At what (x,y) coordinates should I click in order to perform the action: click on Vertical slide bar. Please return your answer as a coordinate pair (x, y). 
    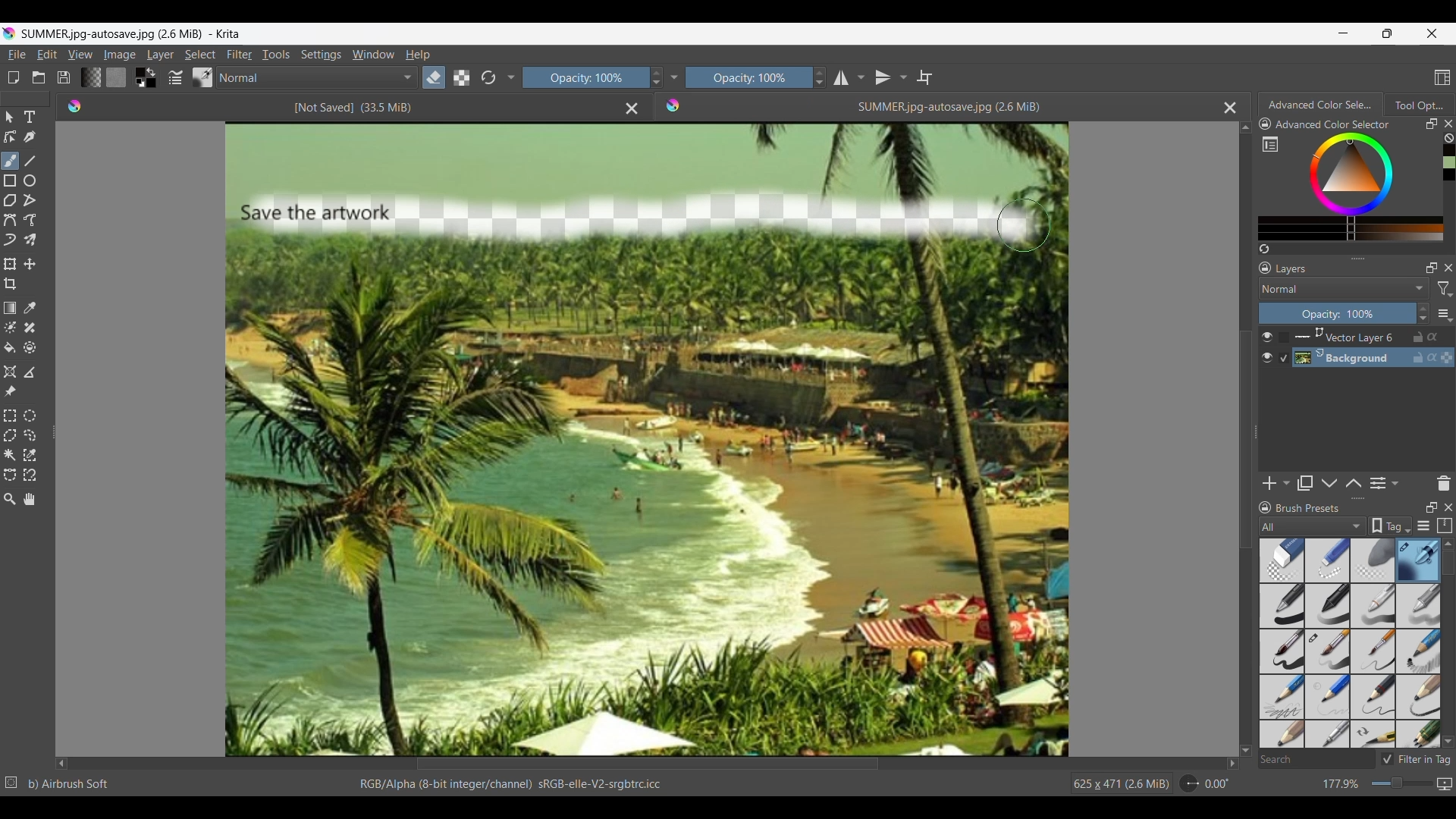
    Looking at the image, I should click on (1244, 440).